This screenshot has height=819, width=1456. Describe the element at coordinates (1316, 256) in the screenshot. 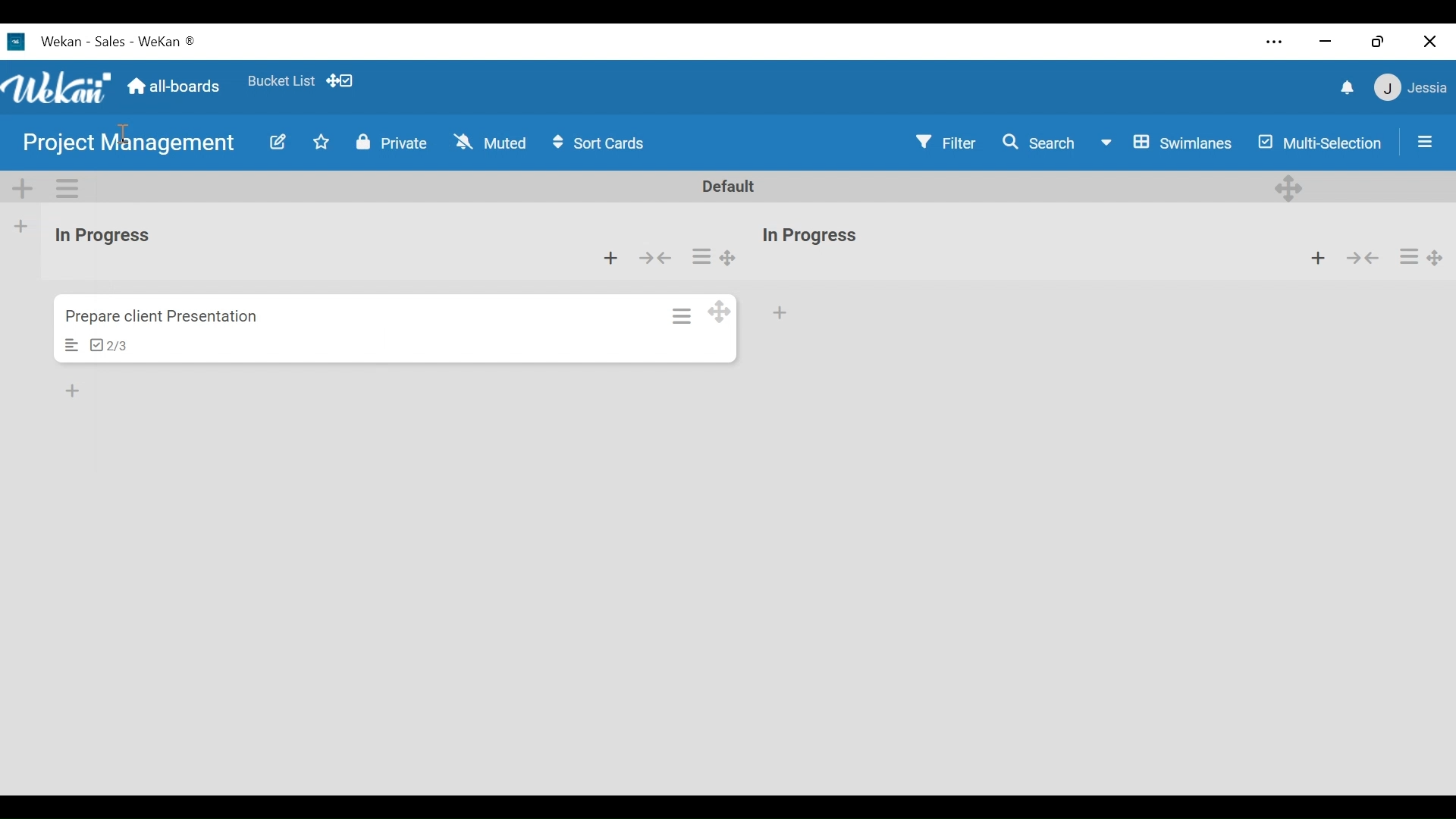

I see `Add card to the top of the list` at that location.